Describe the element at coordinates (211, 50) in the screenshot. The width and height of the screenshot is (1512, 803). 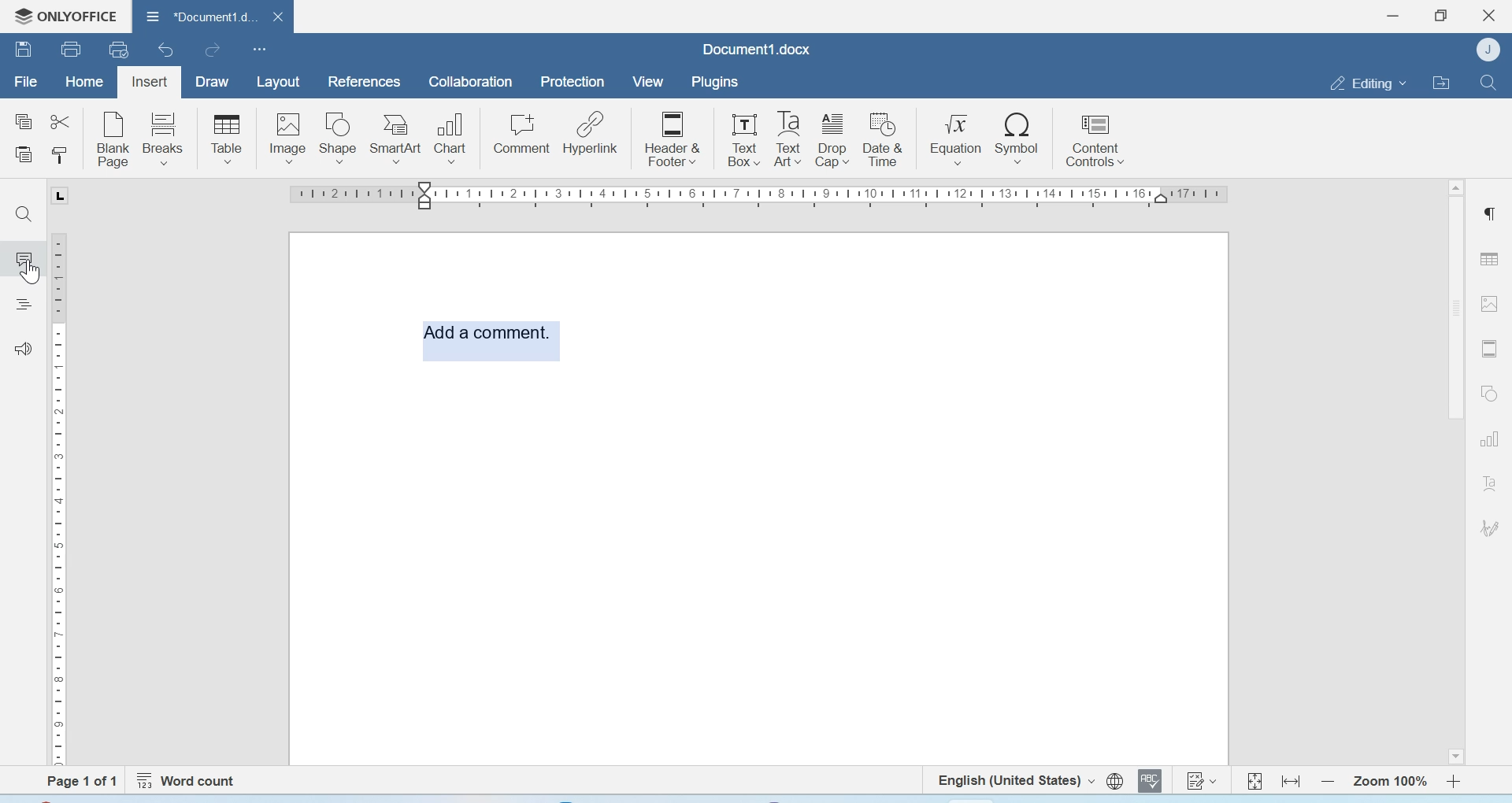
I see `Redo` at that location.